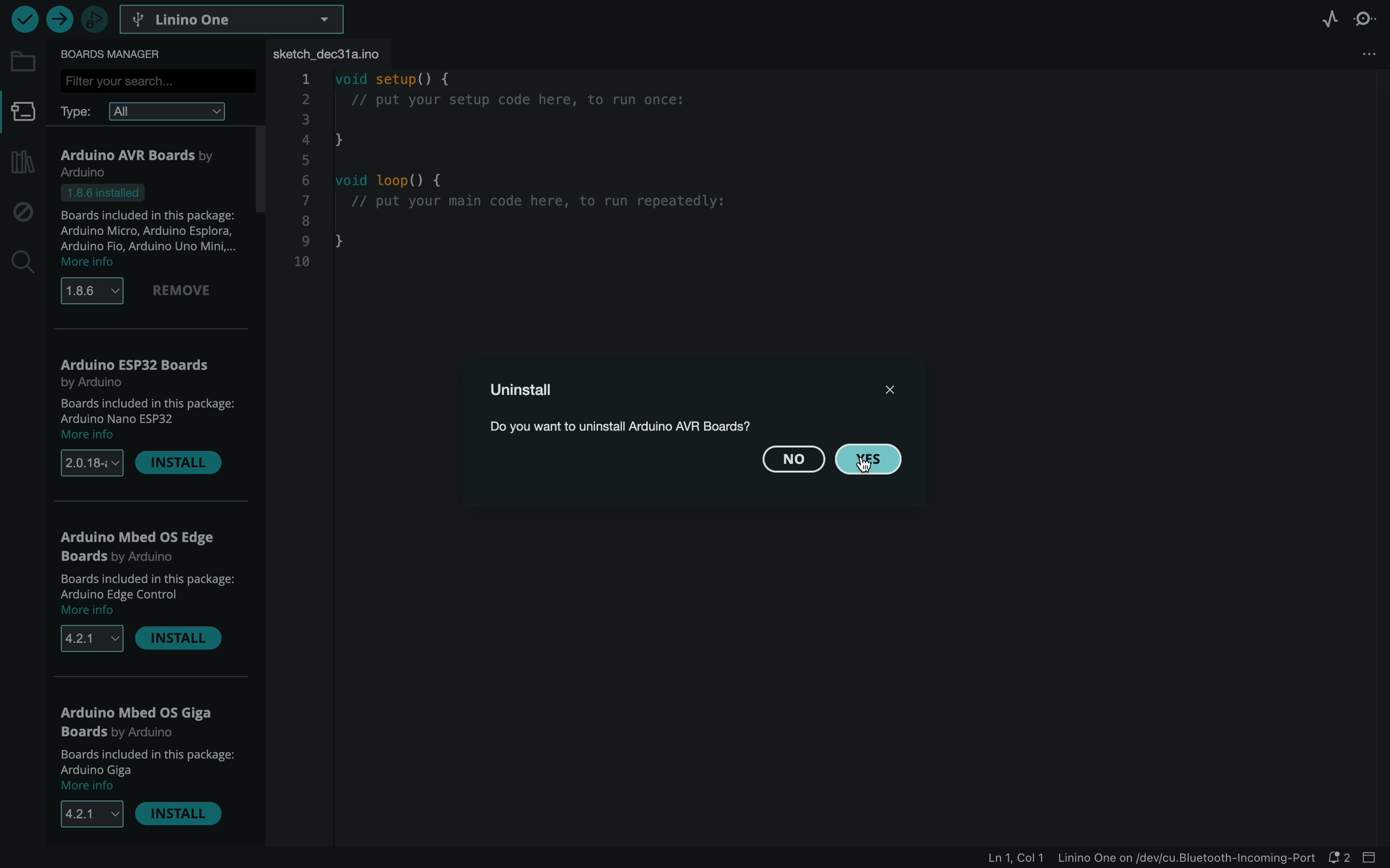  I want to click on arduino ESP32, so click(137, 371).